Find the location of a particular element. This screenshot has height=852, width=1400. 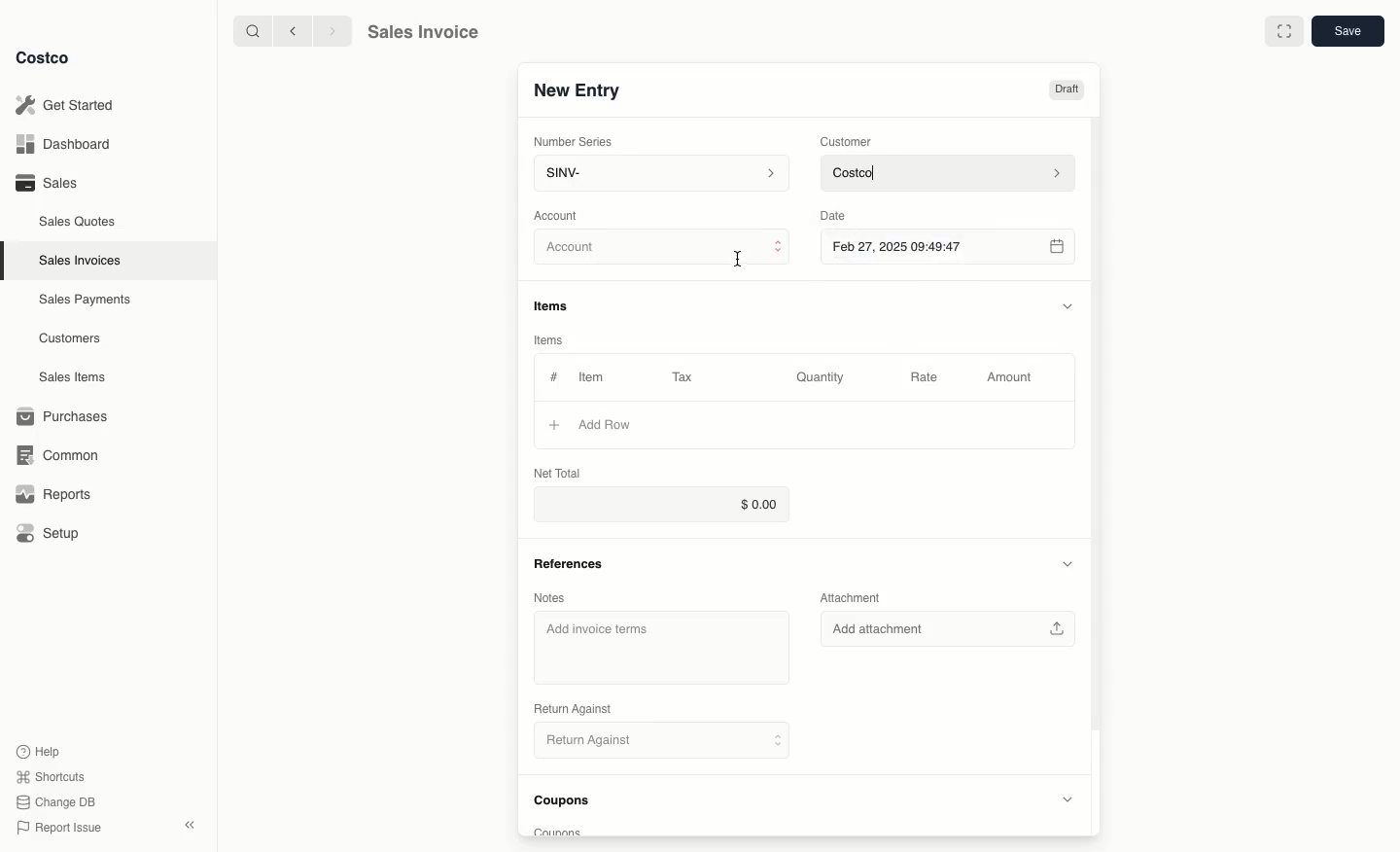

Full width toggle is located at coordinates (1283, 31).